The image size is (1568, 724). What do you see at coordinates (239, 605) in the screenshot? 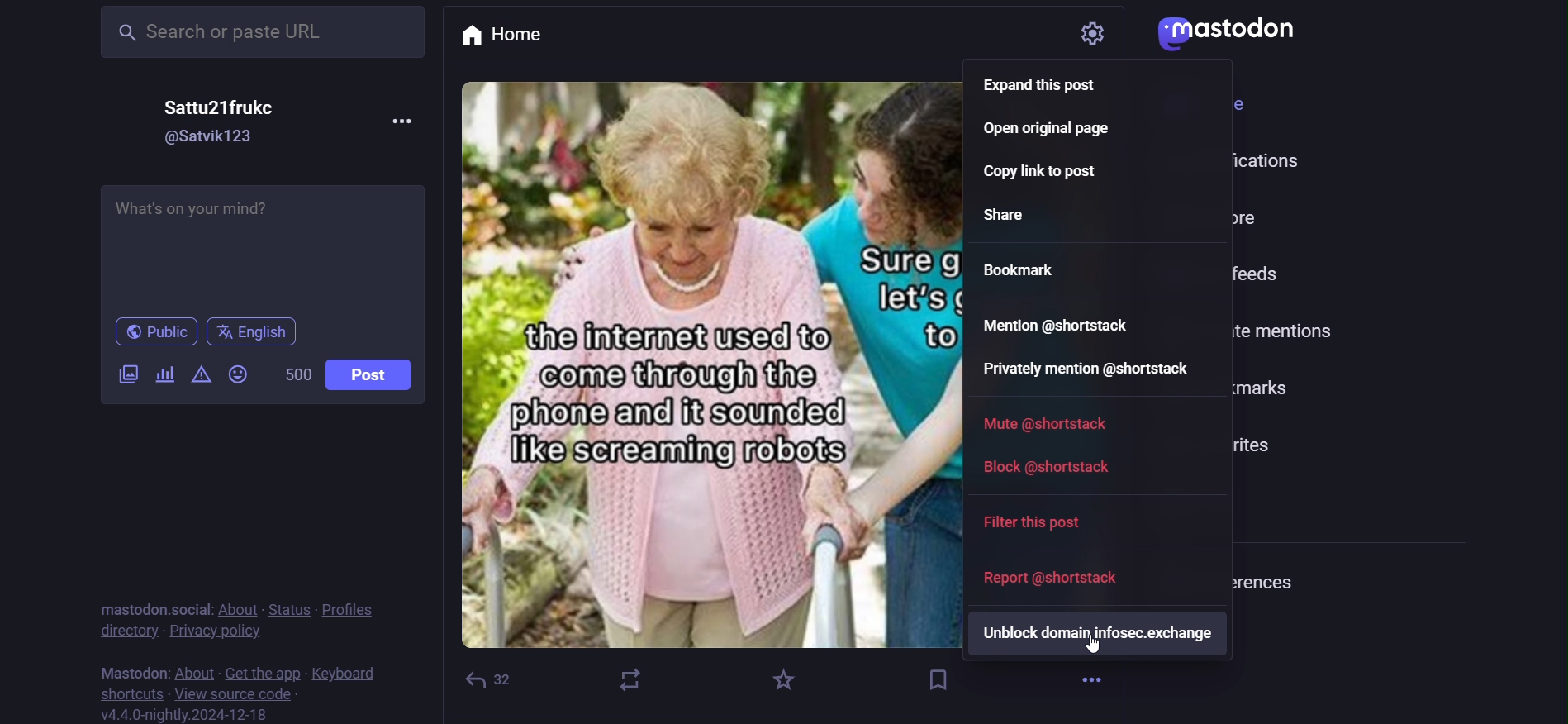
I see `about` at bounding box center [239, 605].